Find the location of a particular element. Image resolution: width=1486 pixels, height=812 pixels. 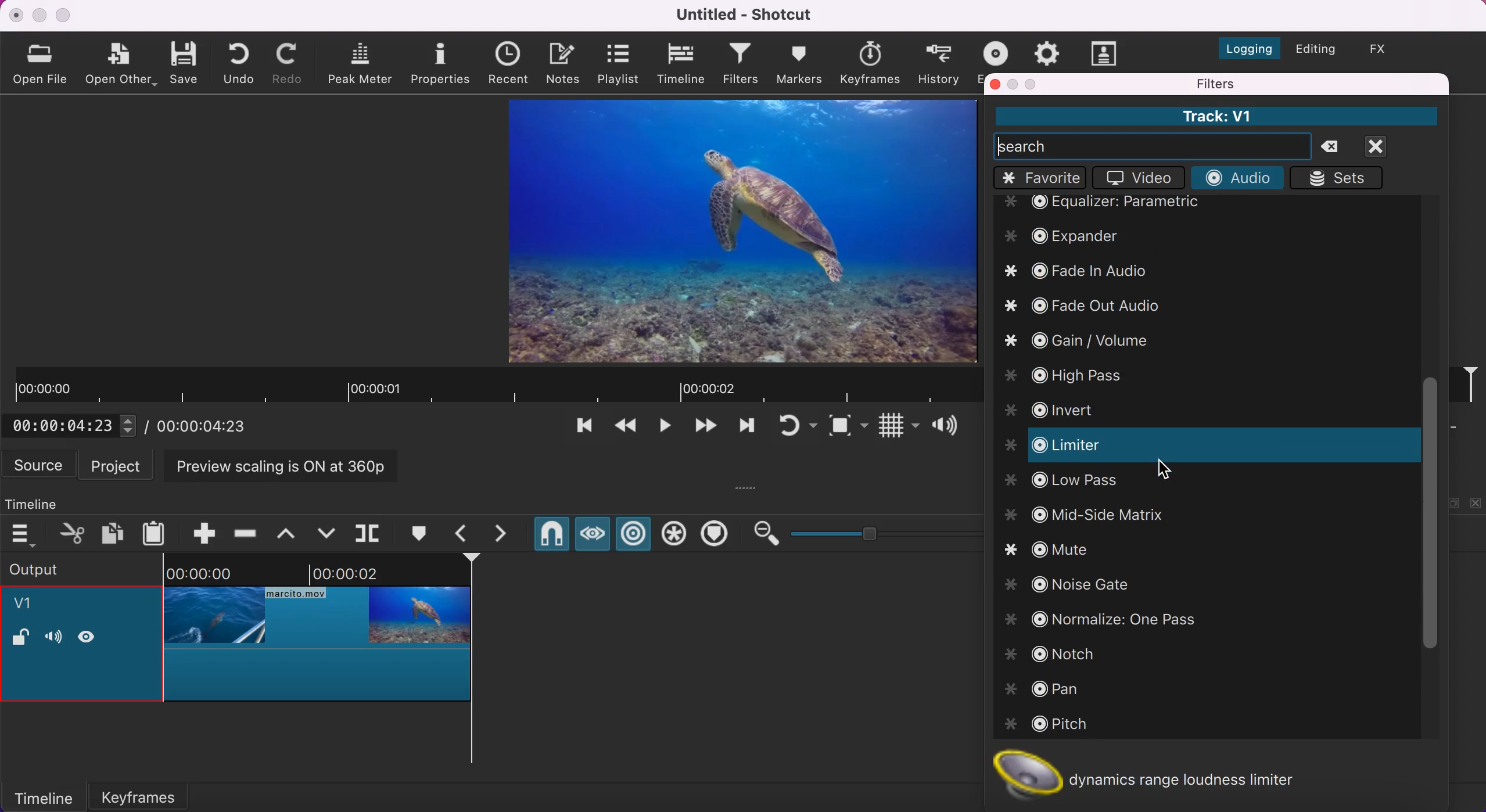

peak meter is located at coordinates (362, 64).